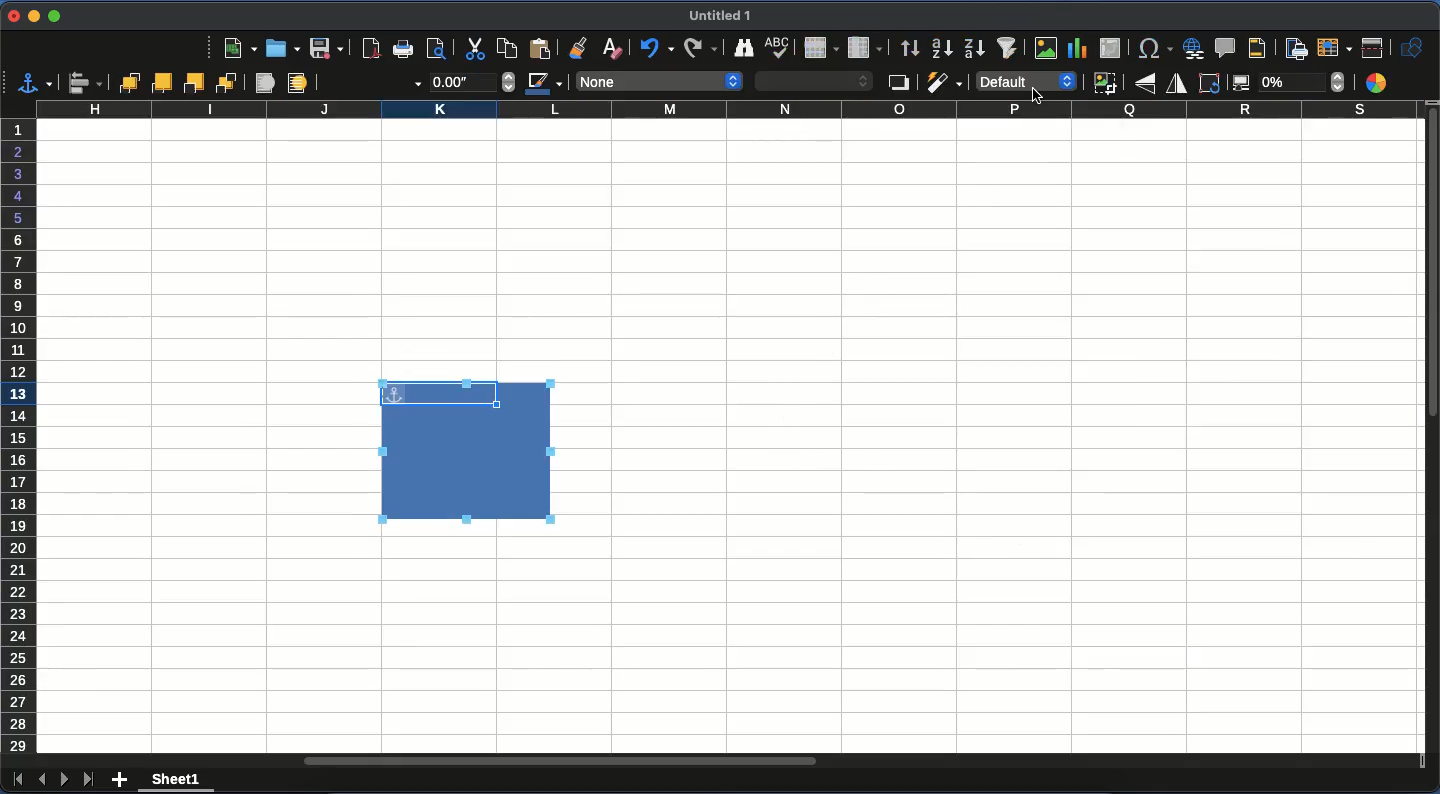  Describe the element at coordinates (472, 50) in the screenshot. I see `cut` at that location.